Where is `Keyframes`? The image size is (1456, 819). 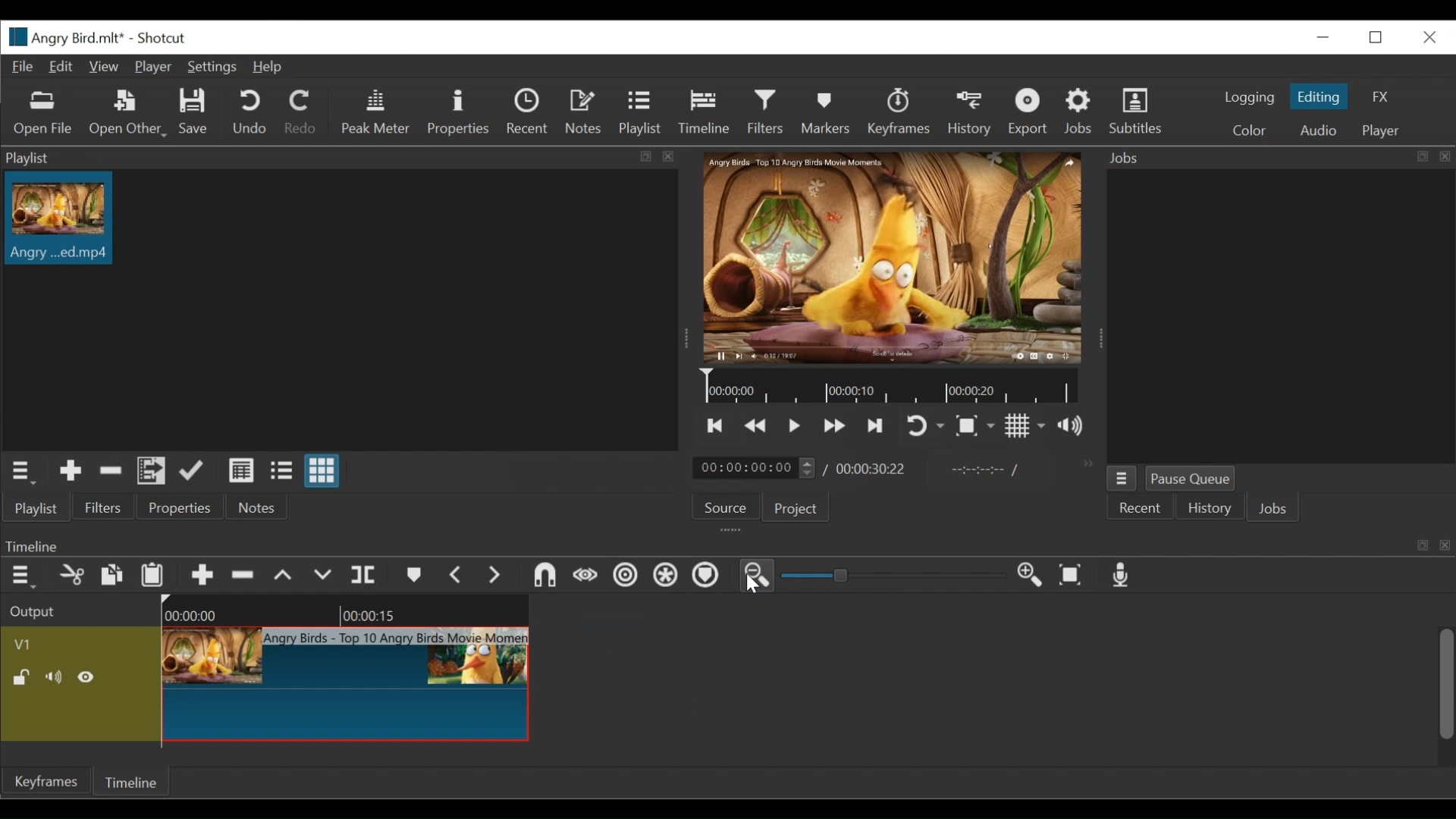
Keyframes is located at coordinates (900, 112).